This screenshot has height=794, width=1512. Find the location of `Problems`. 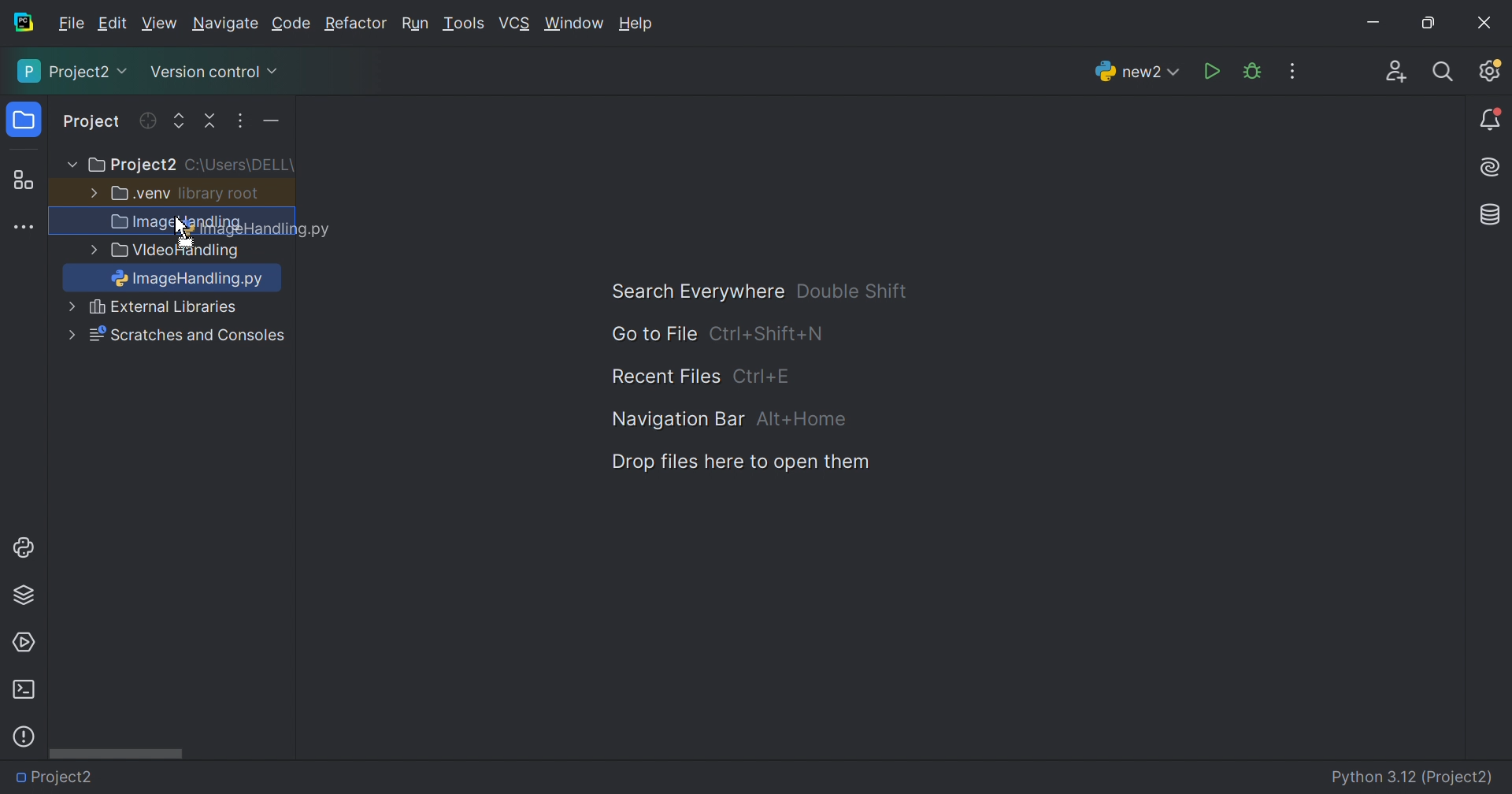

Problems is located at coordinates (24, 736).